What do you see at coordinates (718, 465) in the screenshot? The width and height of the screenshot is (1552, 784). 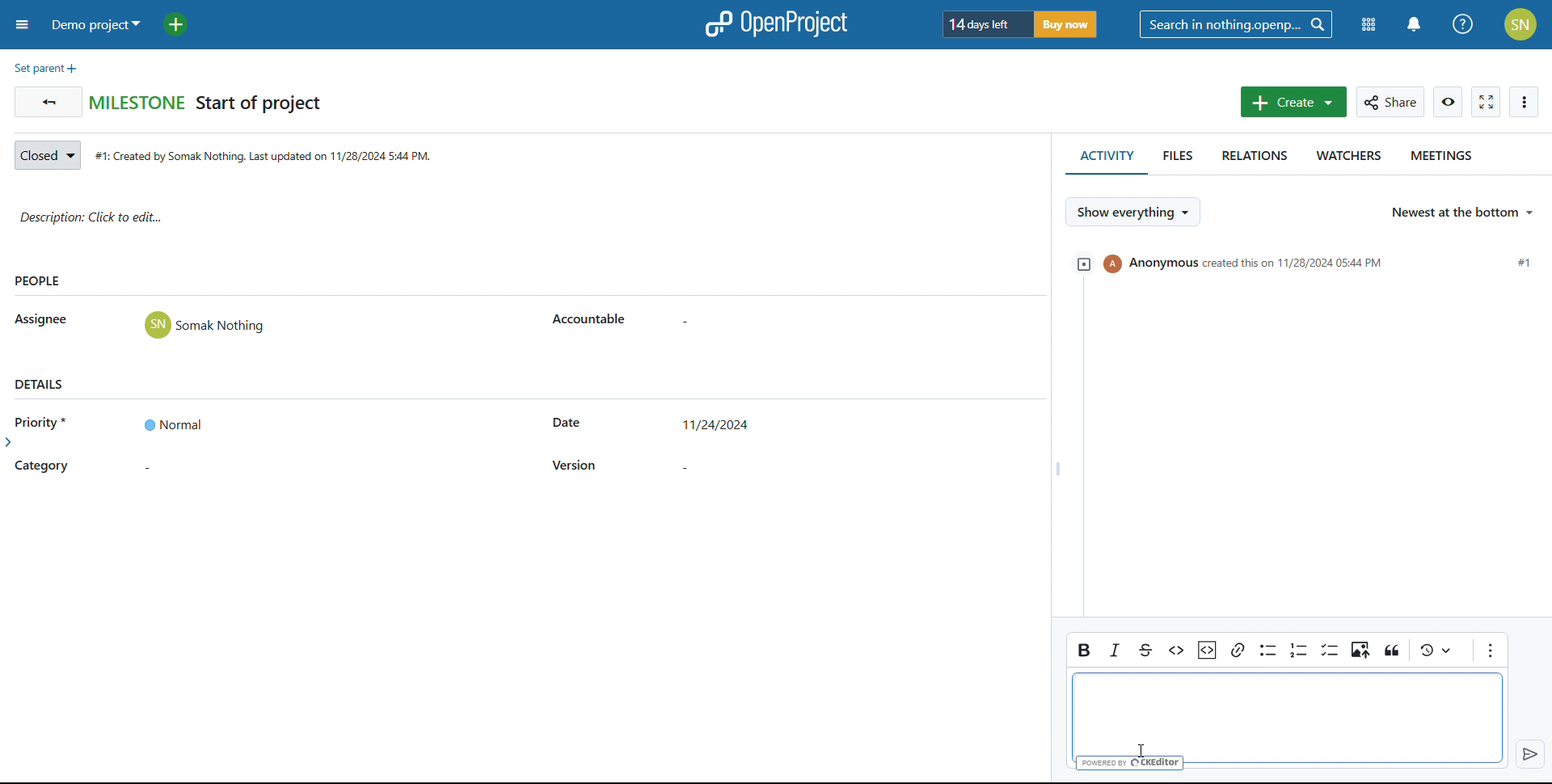 I see `set version` at bounding box center [718, 465].